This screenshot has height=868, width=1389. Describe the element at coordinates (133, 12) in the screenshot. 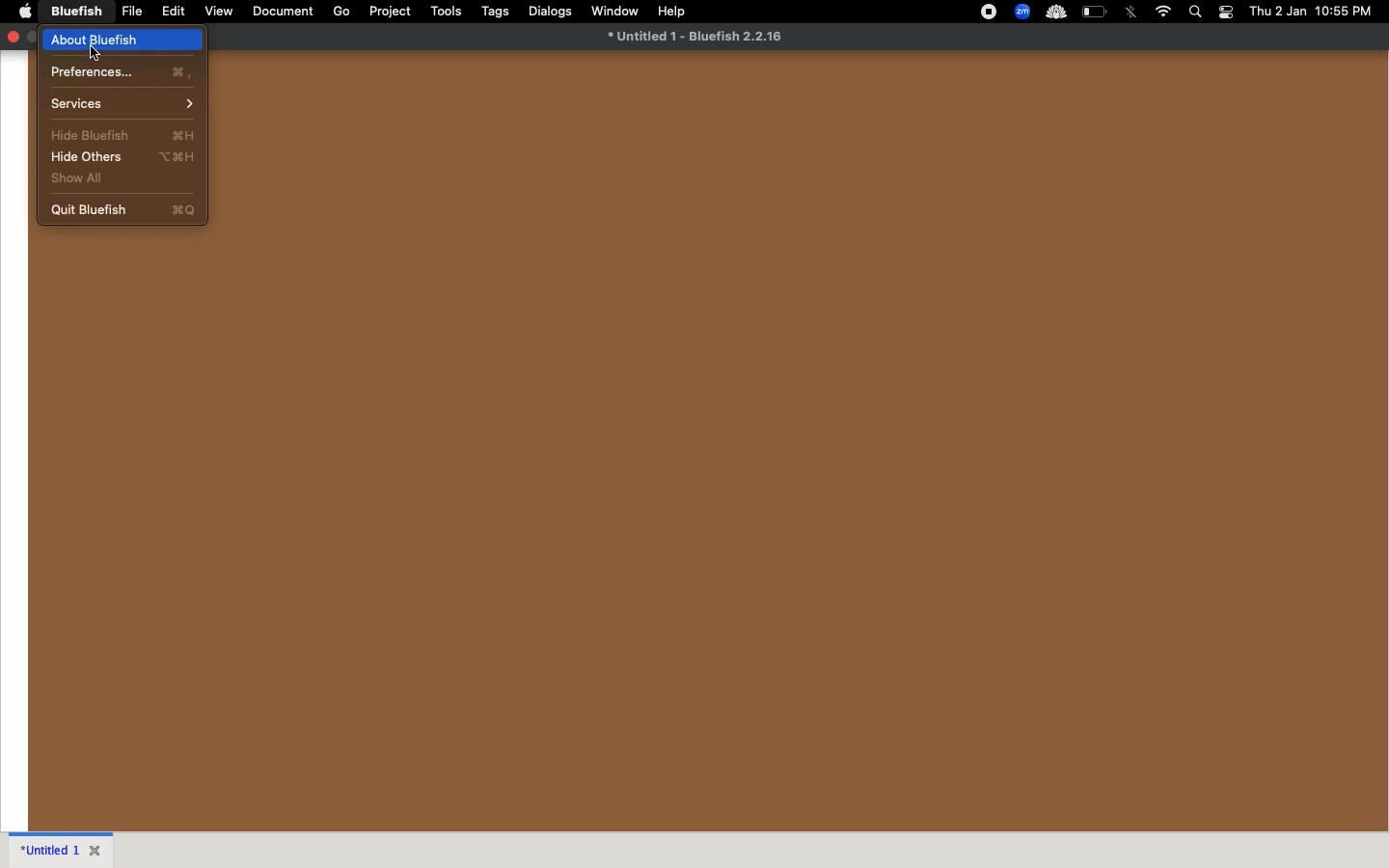

I see `file` at that location.